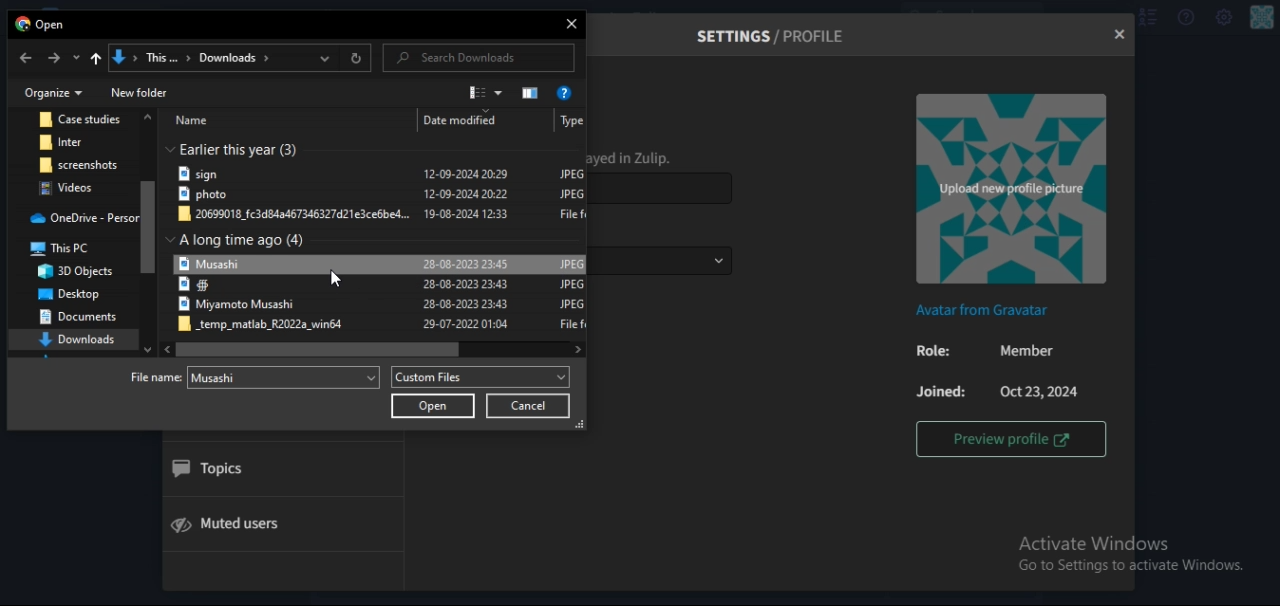  Describe the element at coordinates (1118, 35) in the screenshot. I see `close` at that location.